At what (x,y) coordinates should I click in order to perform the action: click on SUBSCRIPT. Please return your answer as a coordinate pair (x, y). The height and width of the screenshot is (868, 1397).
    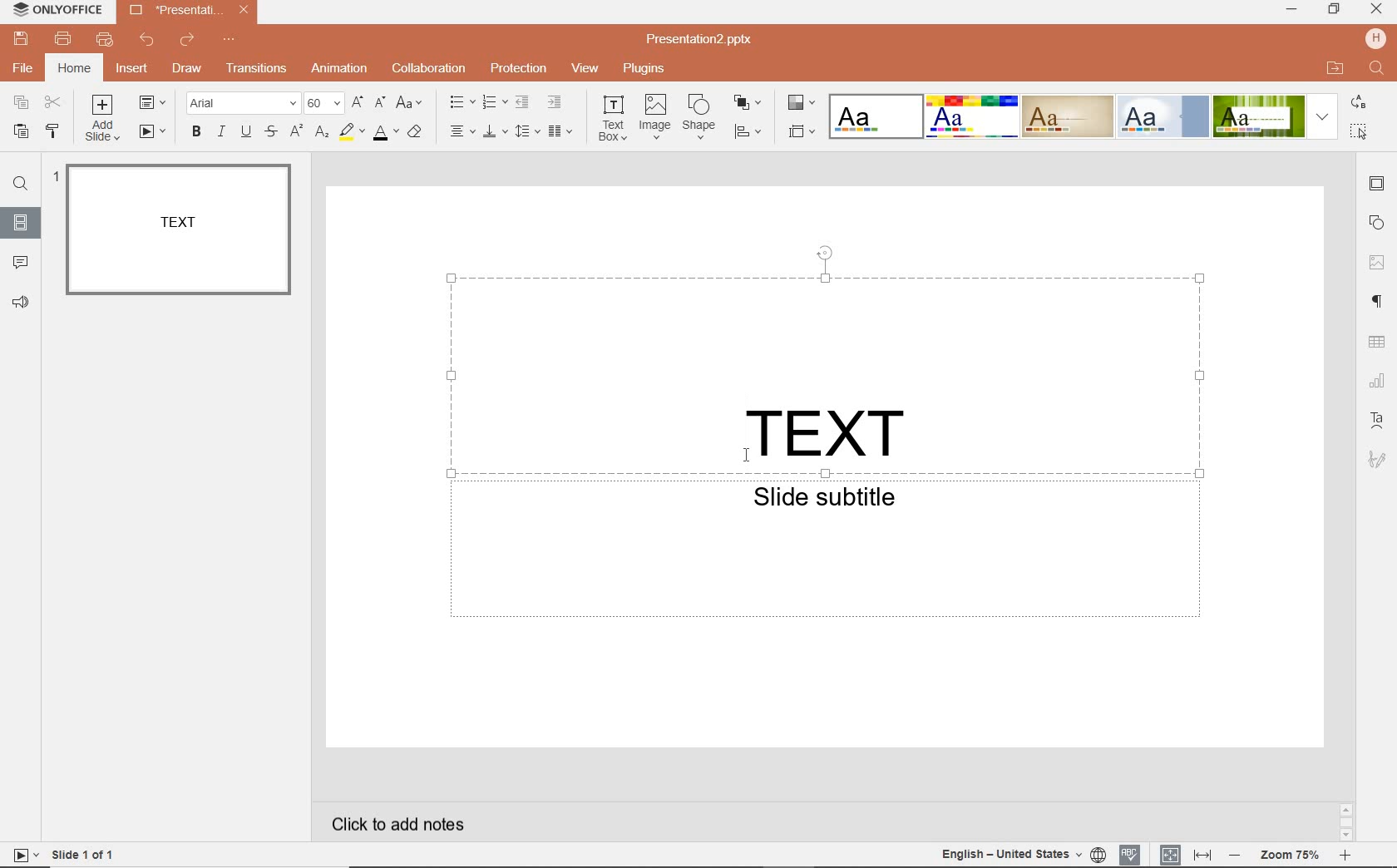
    Looking at the image, I should click on (322, 133).